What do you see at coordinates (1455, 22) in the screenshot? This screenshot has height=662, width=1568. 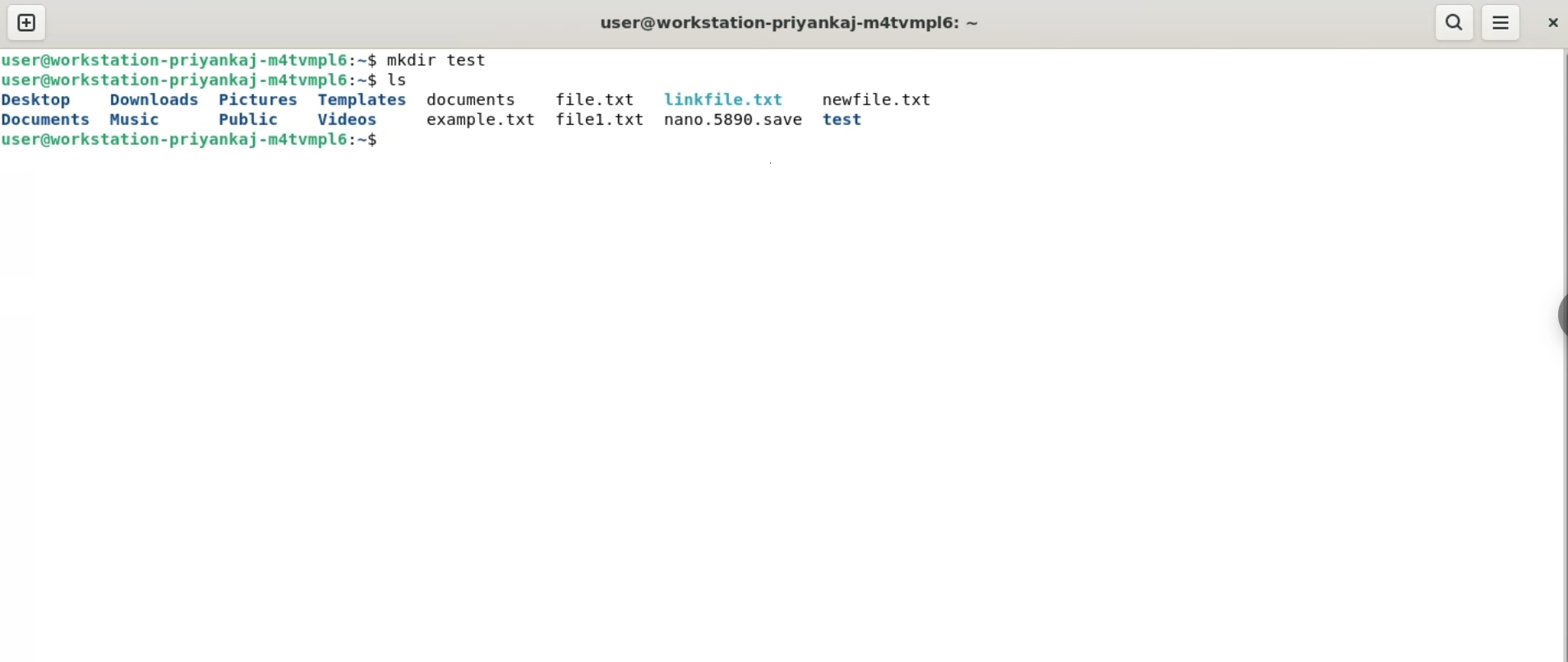 I see `search` at bounding box center [1455, 22].